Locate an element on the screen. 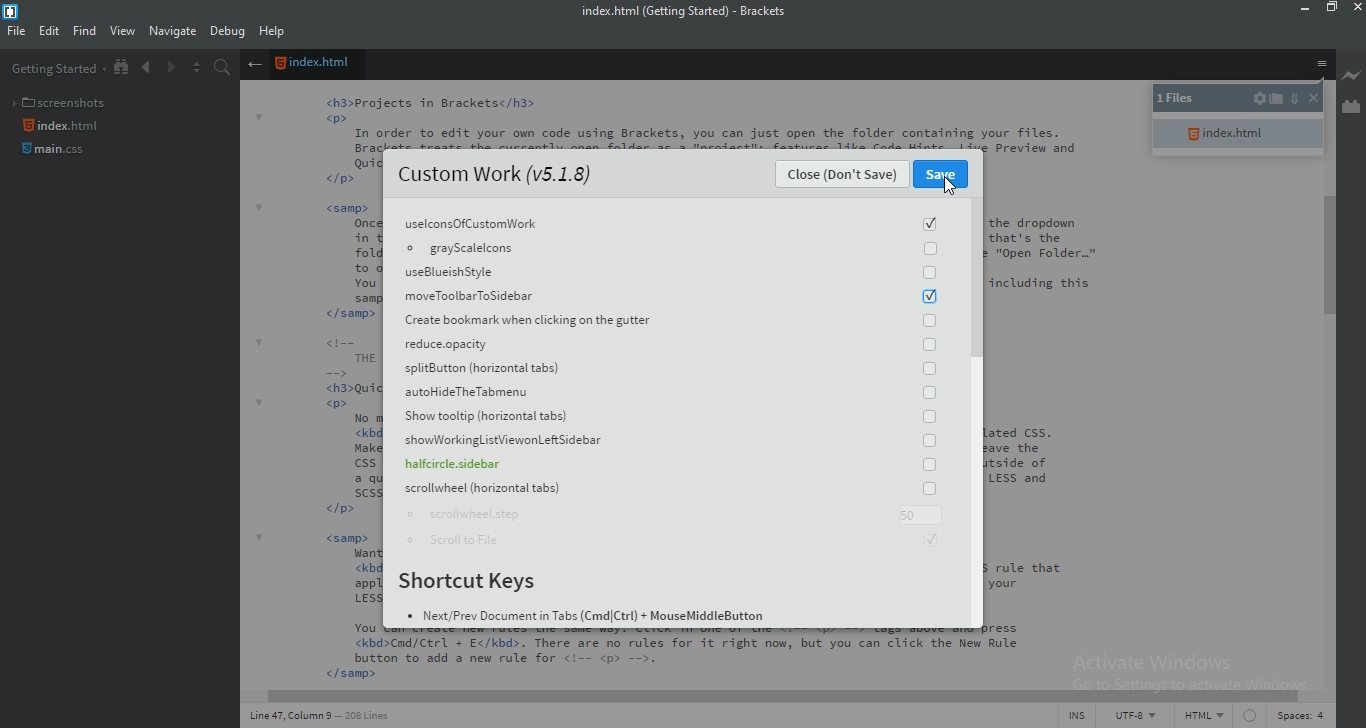 This screenshot has width=1366, height=728. Next document is located at coordinates (170, 69).